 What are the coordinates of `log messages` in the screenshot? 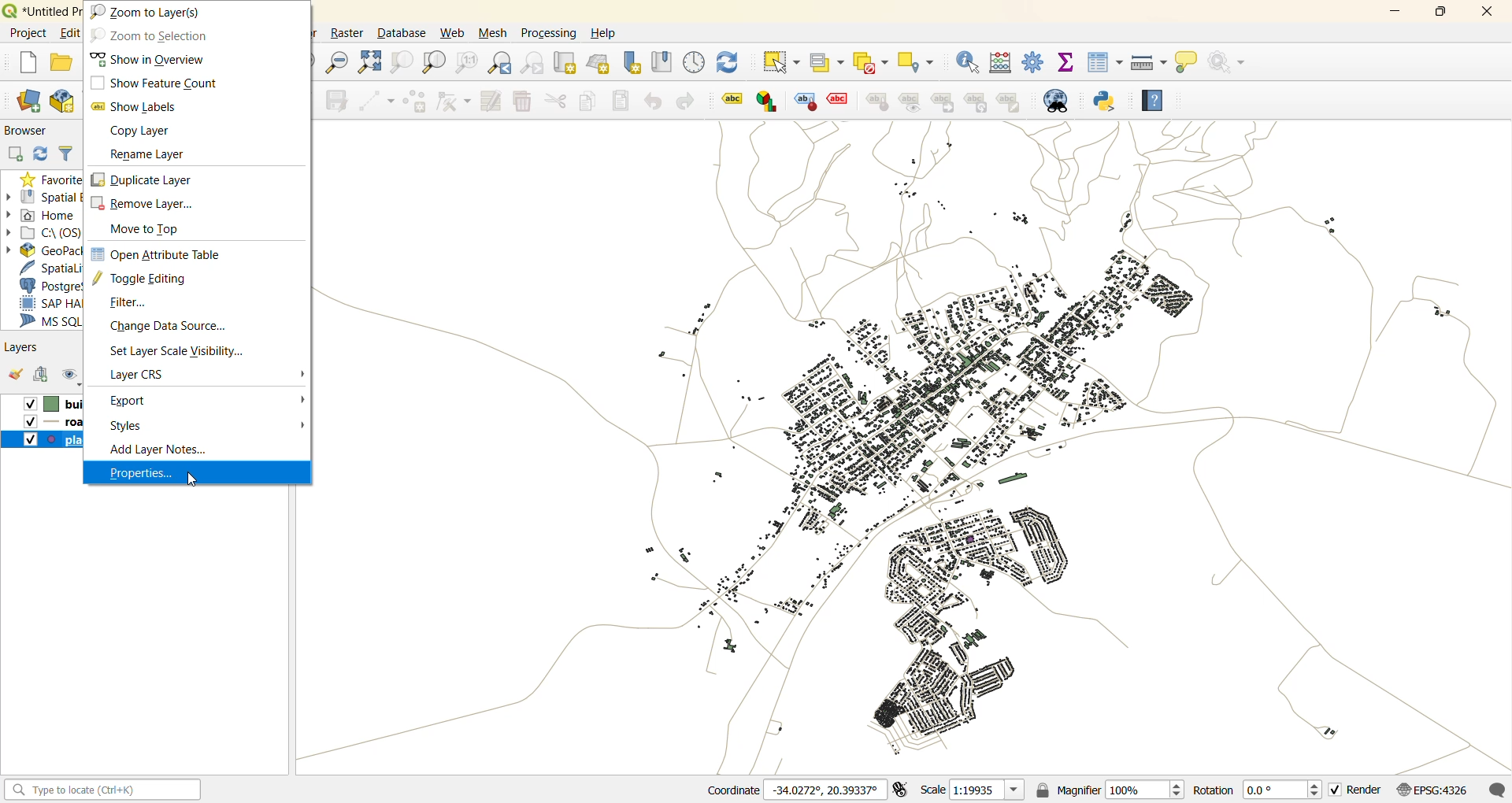 It's located at (1496, 787).